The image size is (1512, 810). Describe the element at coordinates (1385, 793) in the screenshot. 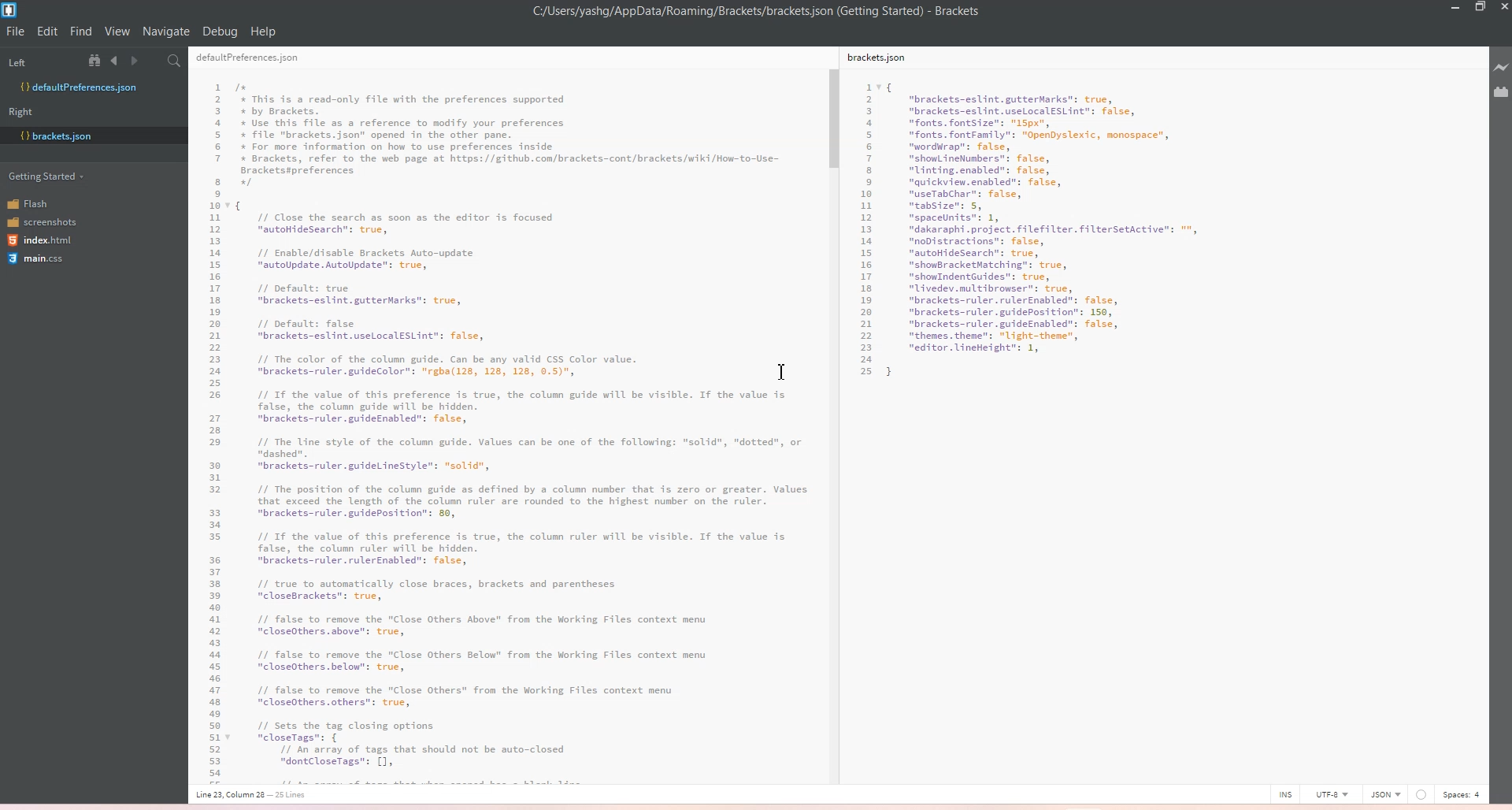

I see `JSON` at that location.